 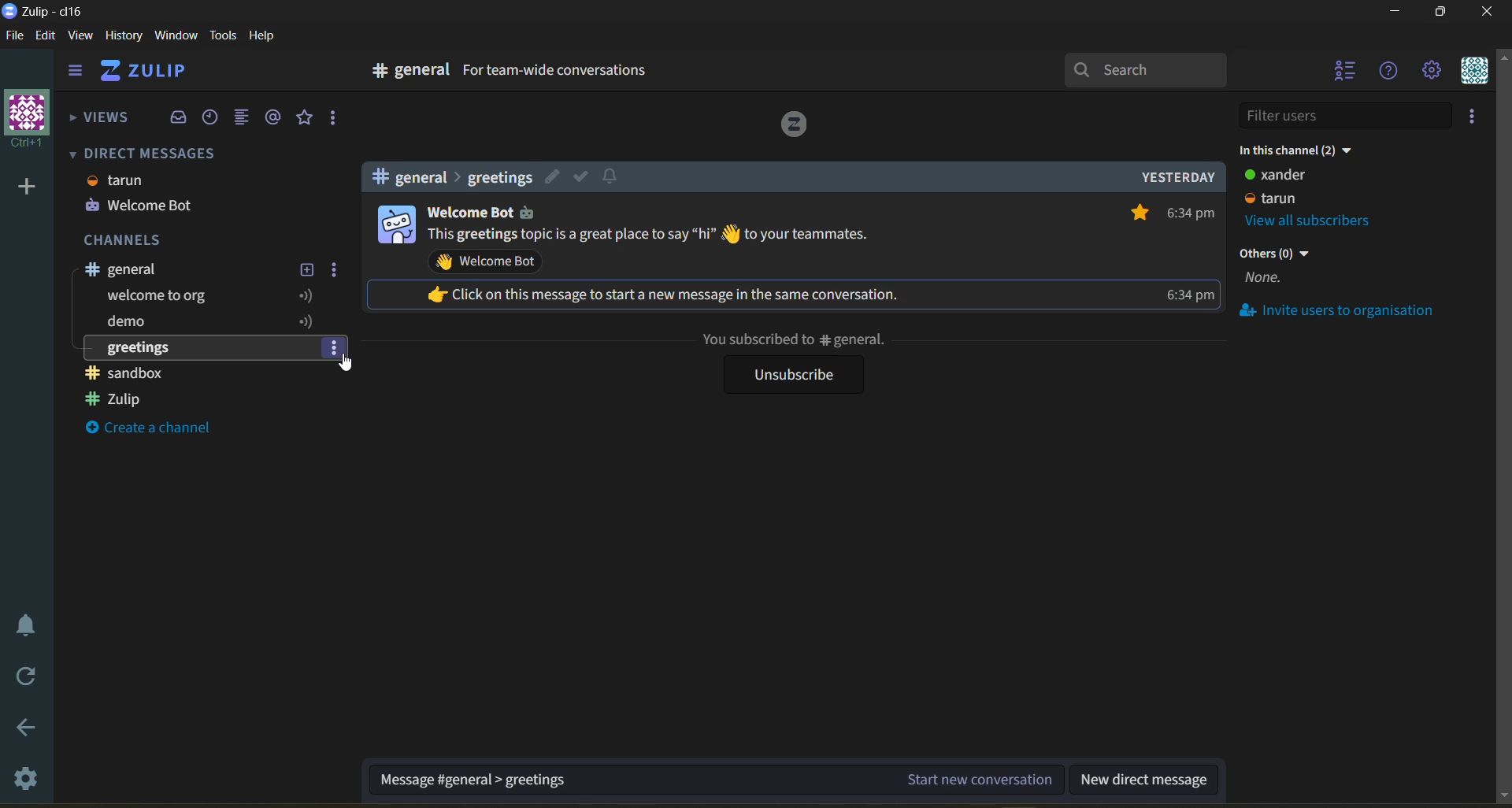 I want to click on enable do not disturb, so click(x=22, y=625).